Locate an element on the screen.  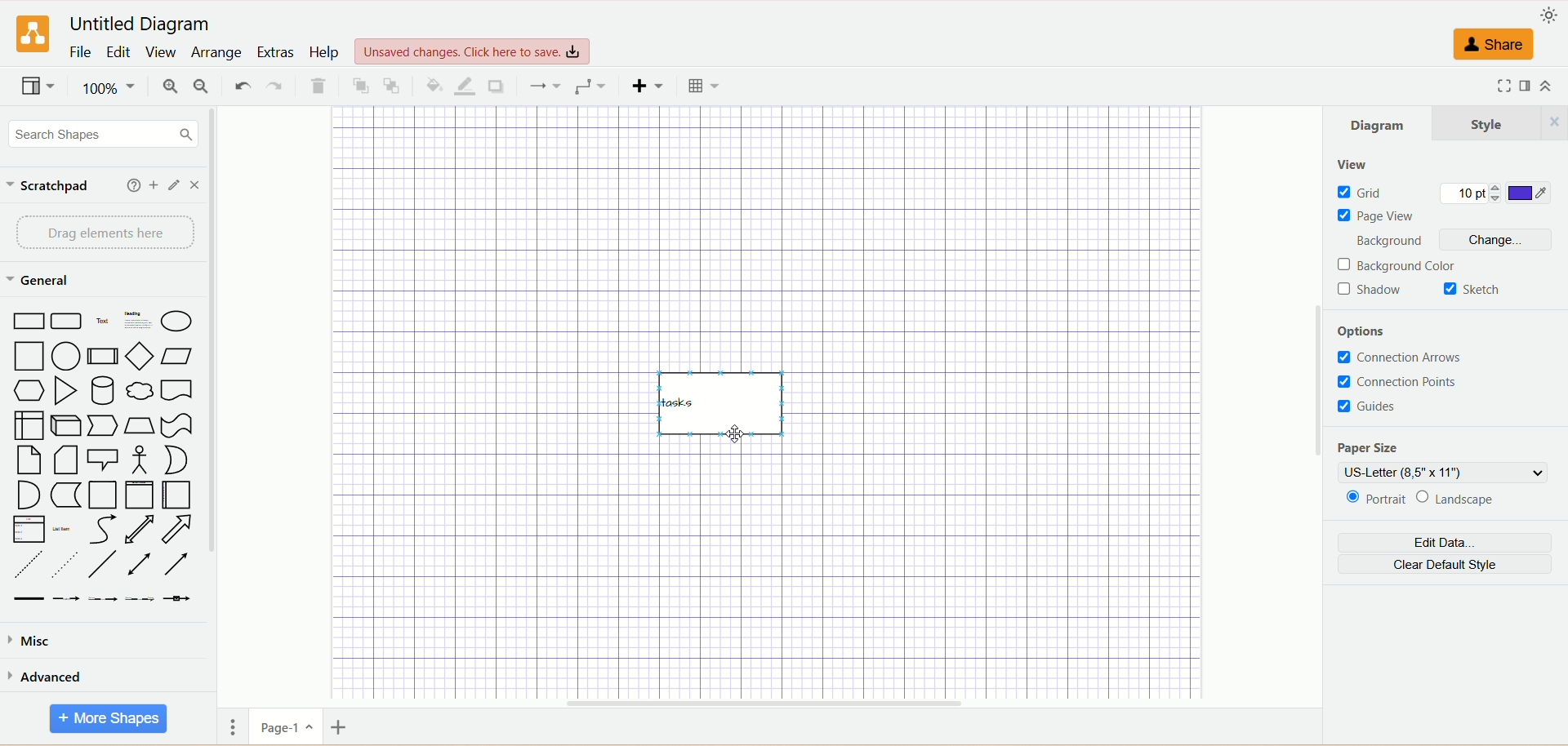
Two-way Arrow is located at coordinates (140, 530).